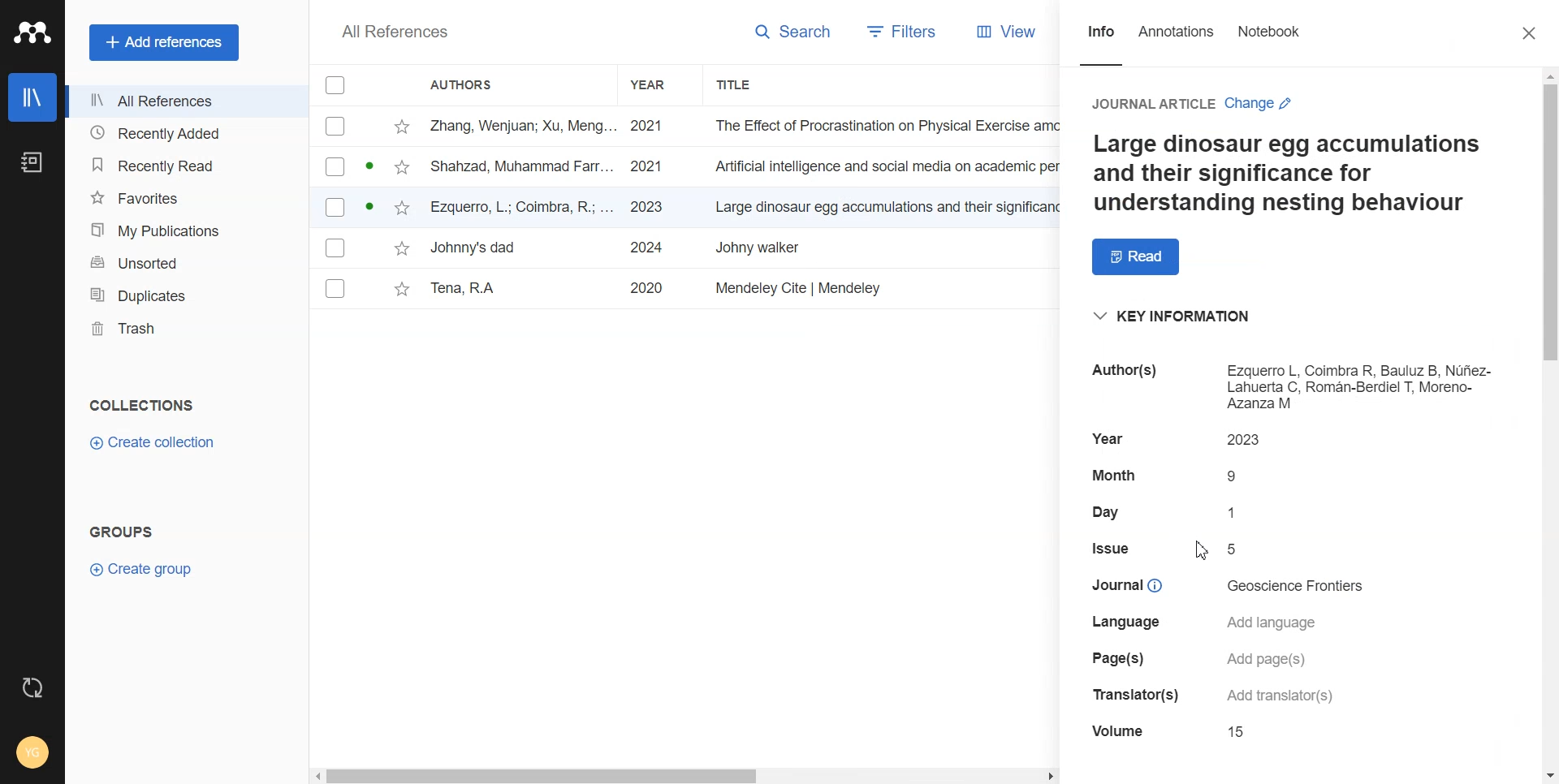 The image size is (1559, 784). What do you see at coordinates (1366, 388) in the screenshot?
I see `details` at bounding box center [1366, 388].